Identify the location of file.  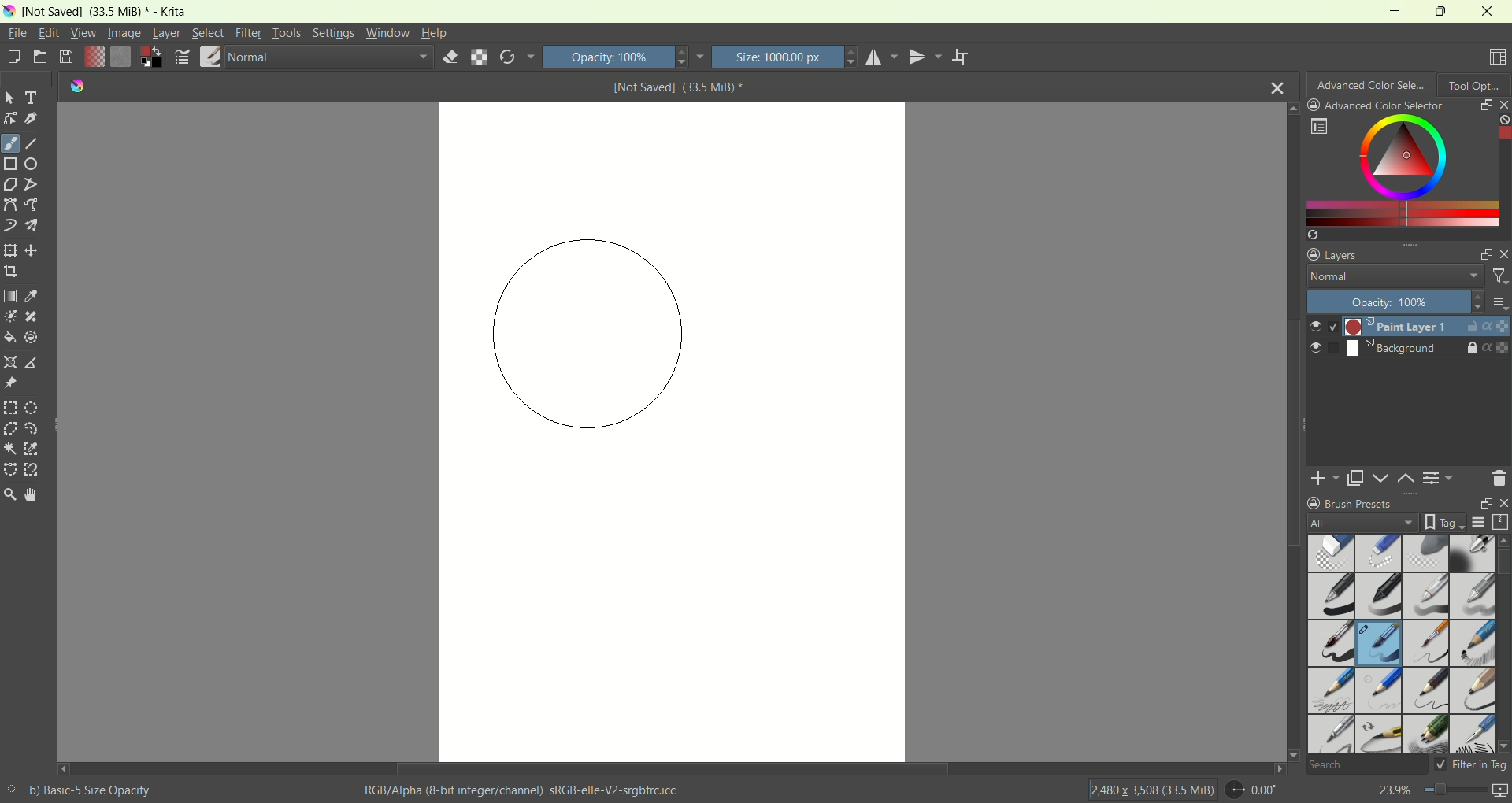
(19, 32).